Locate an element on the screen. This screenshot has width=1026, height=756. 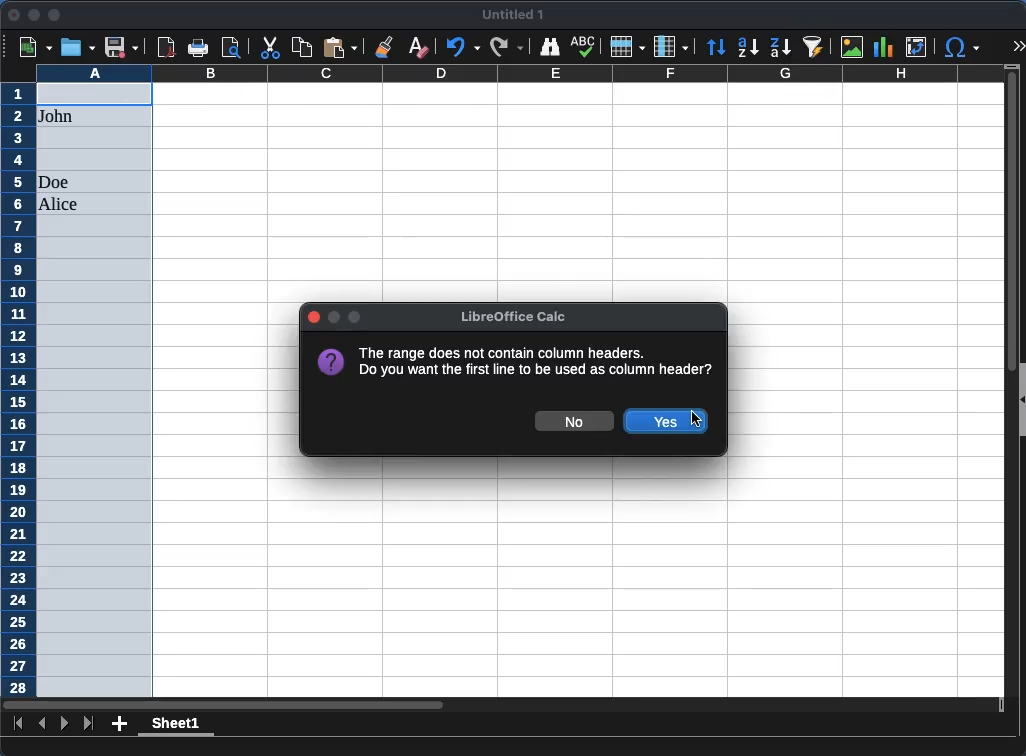
minimize is located at coordinates (33, 15).